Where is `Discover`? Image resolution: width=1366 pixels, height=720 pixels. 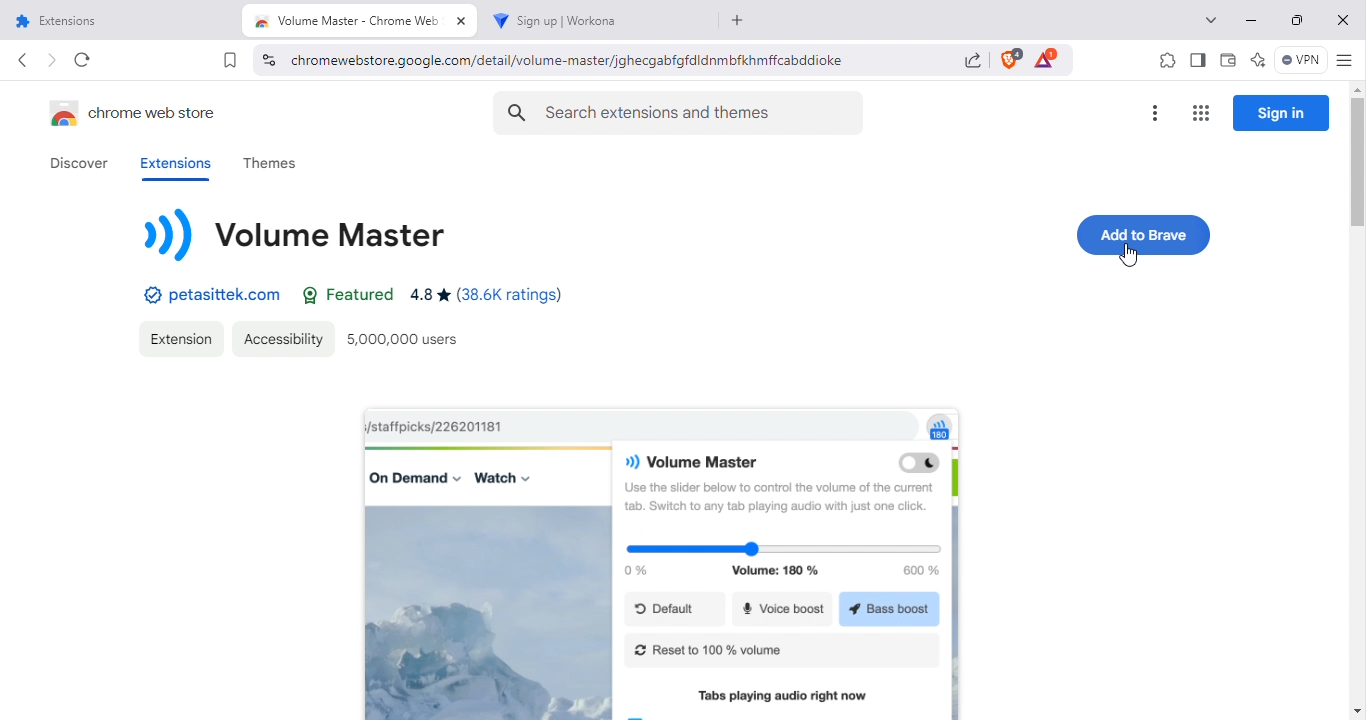
Discover is located at coordinates (76, 162).